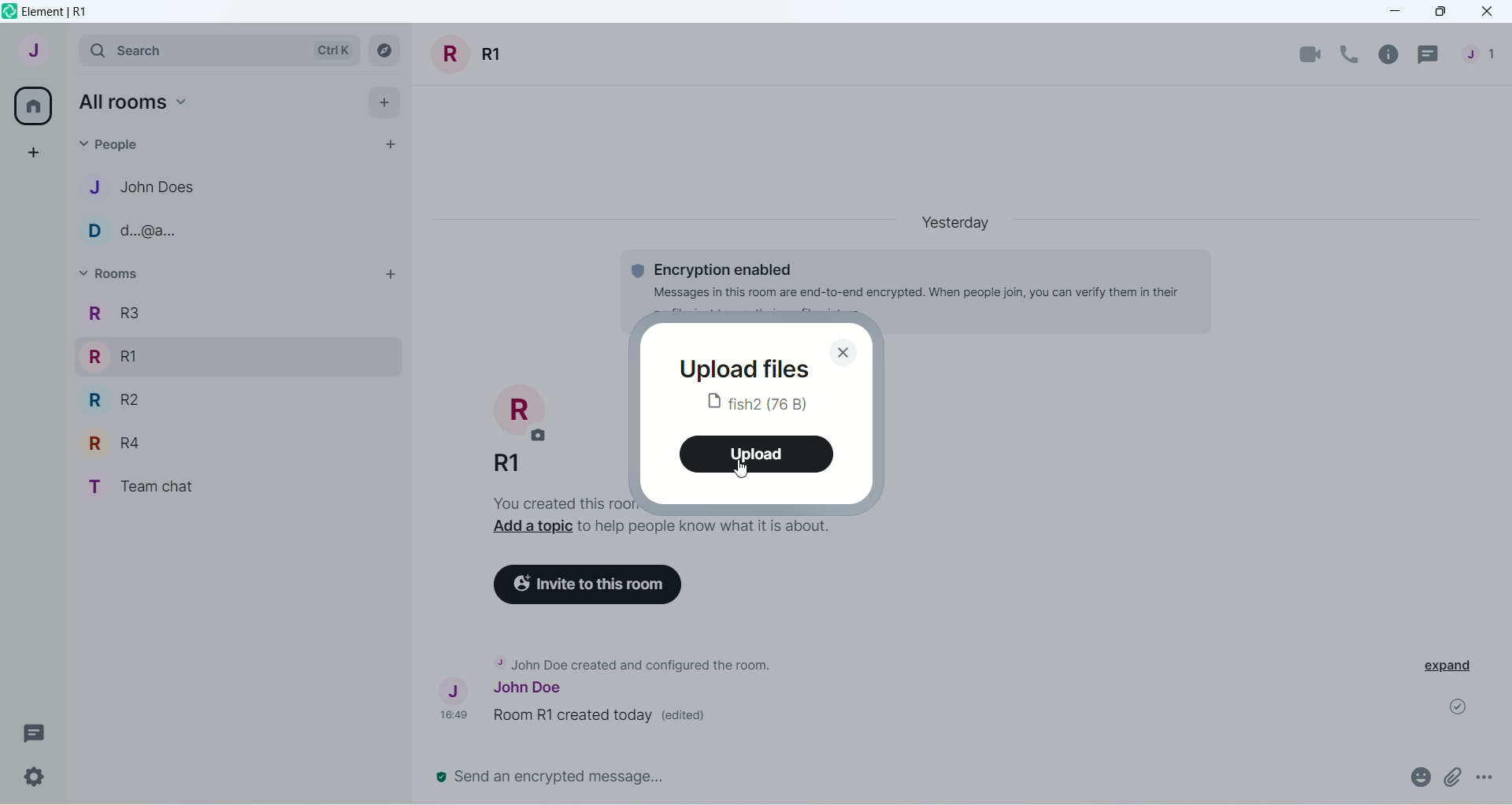 Image resolution: width=1512 pixels, height=805 pixels. What do you see at coordinates (760, 404) in the screenshot?
I see `fish2 (76B)` at bounding box center [760, 404].